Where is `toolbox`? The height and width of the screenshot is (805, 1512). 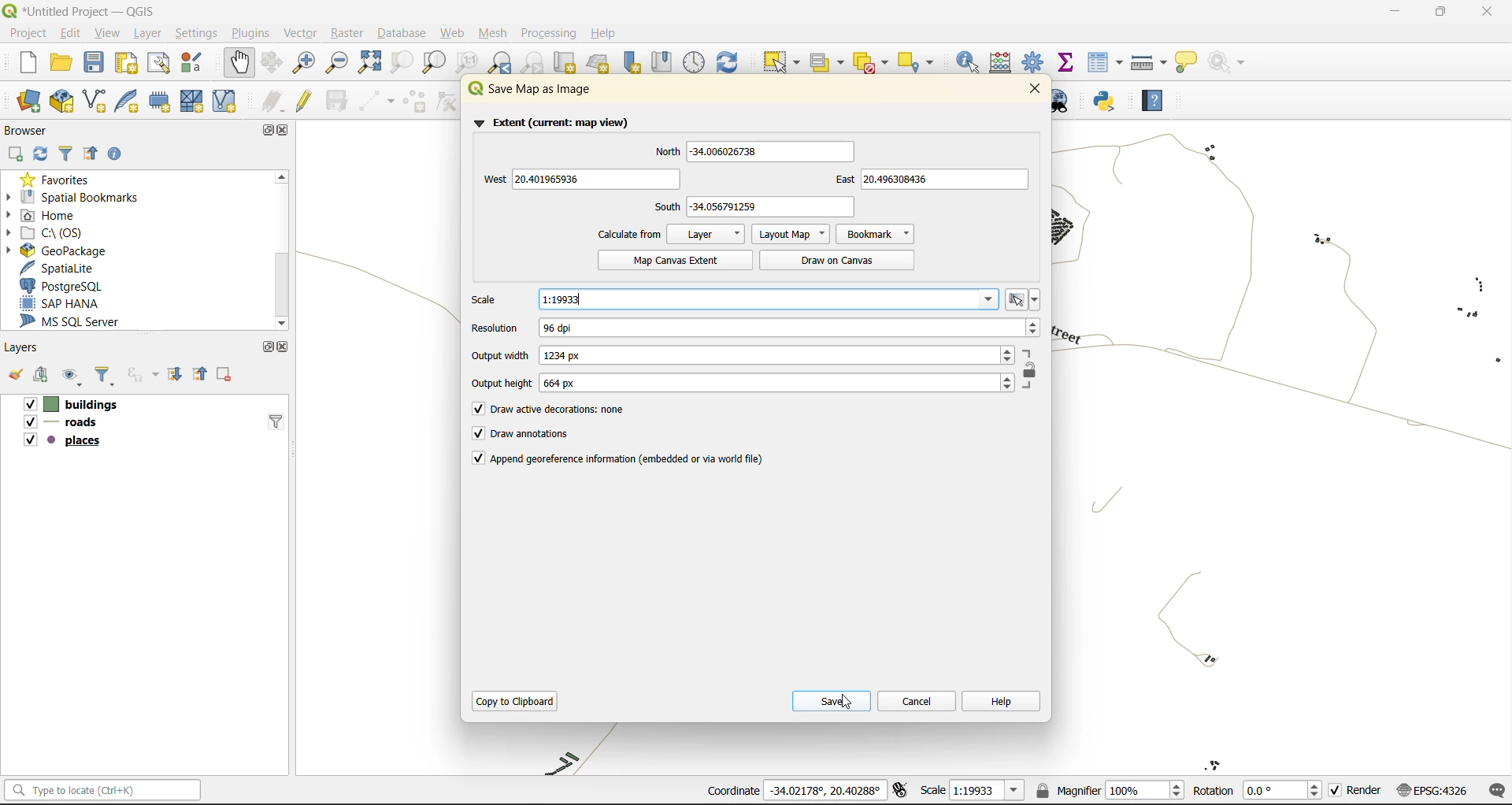 toolbox is located at coordinates (1036, 63).